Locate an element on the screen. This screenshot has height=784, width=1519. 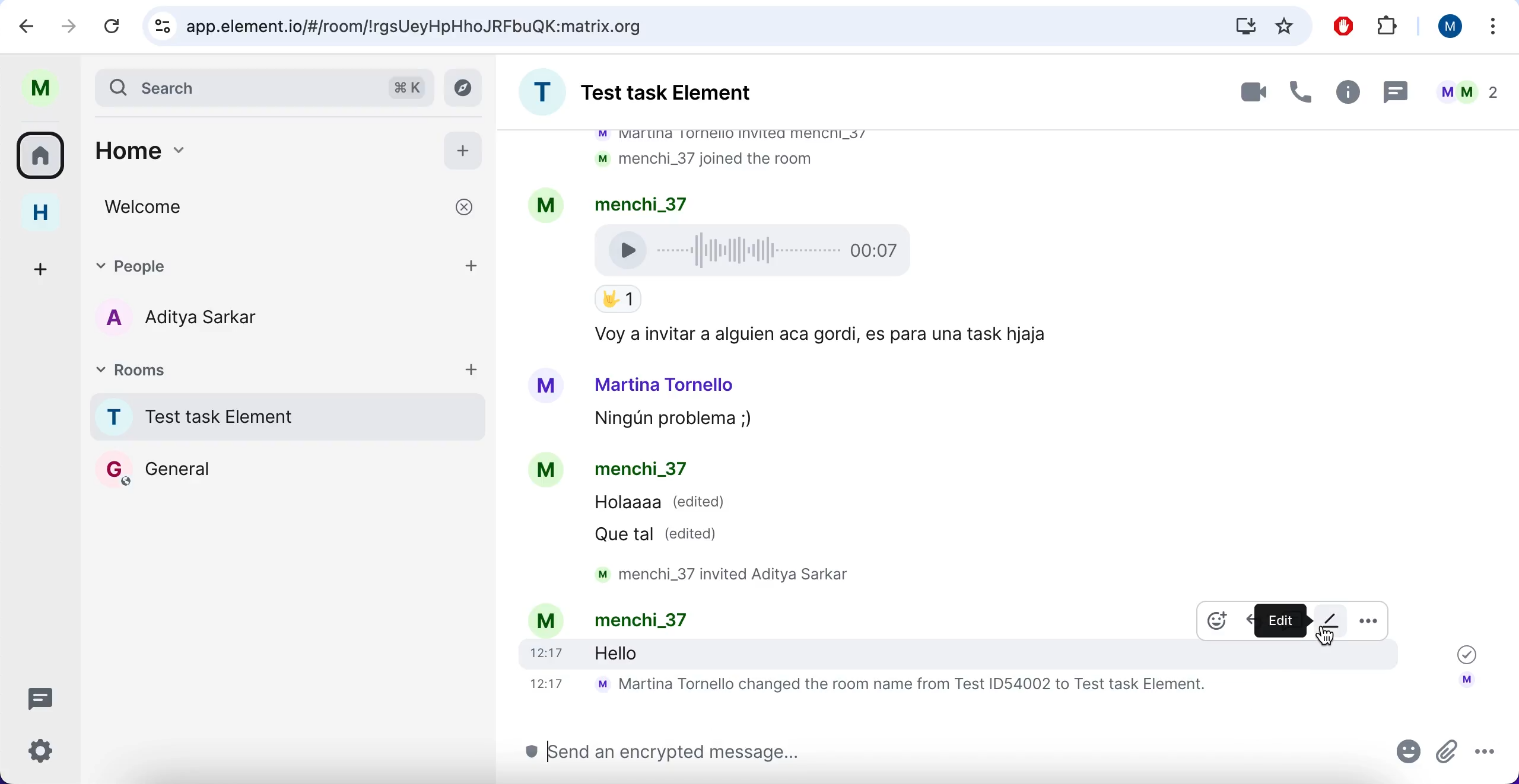
more options is located at coordinates (1488, 28).